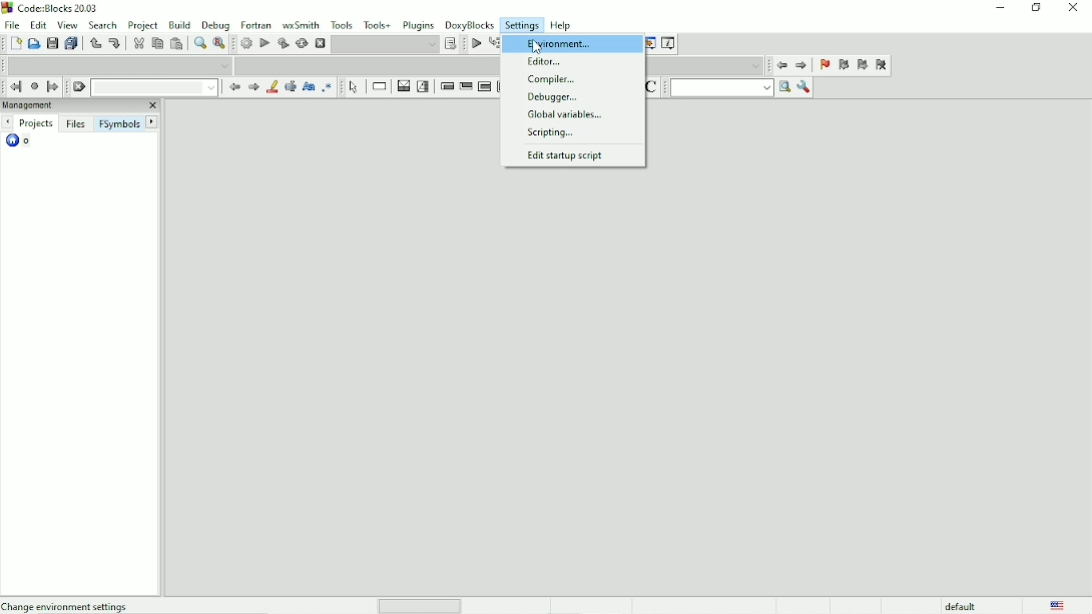 The height and width of the screenshot is (614, 1092). I want to click on Jump forward, so click(53, 87).